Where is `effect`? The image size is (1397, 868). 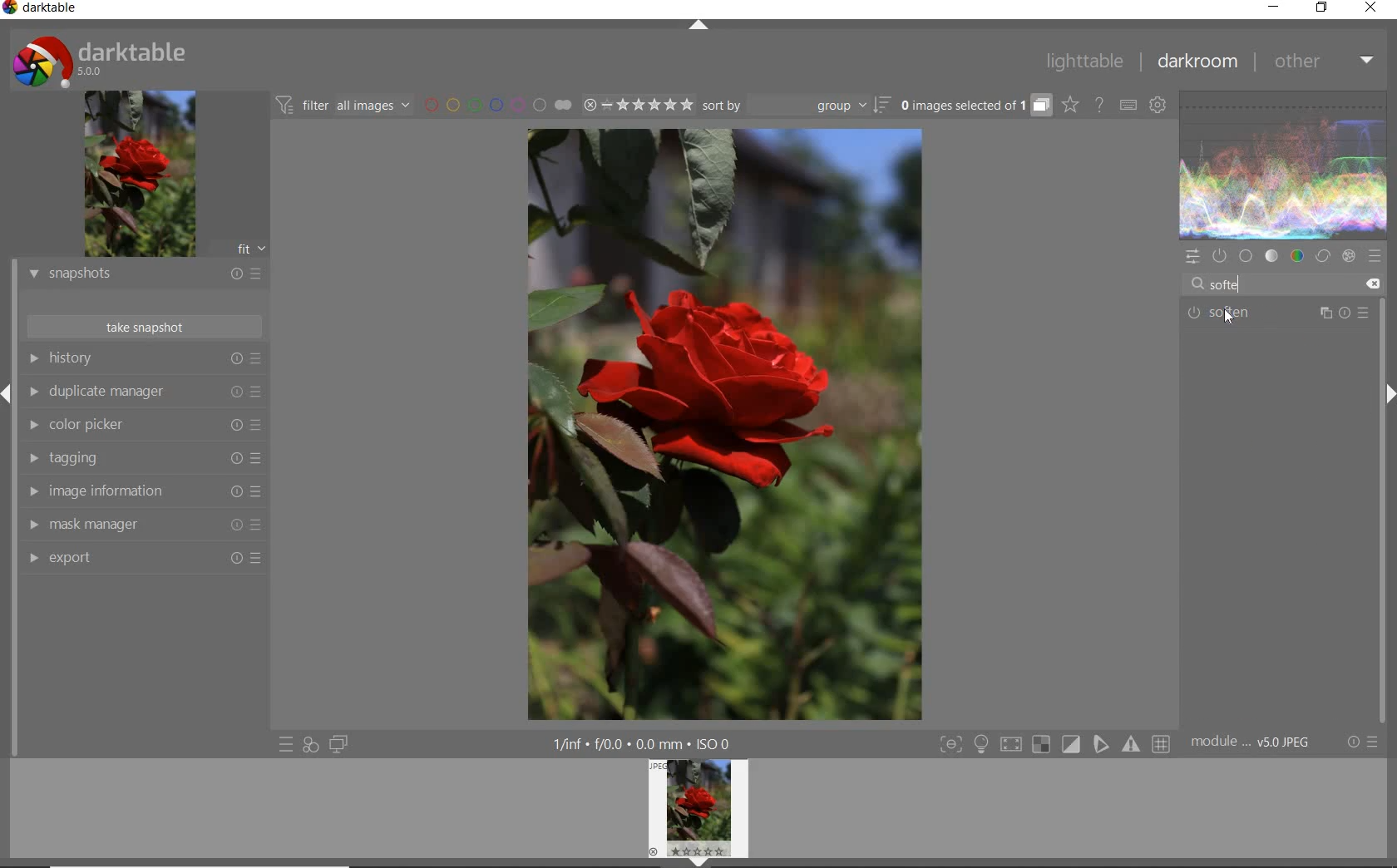
effect is located at coordinates (1348, 257).